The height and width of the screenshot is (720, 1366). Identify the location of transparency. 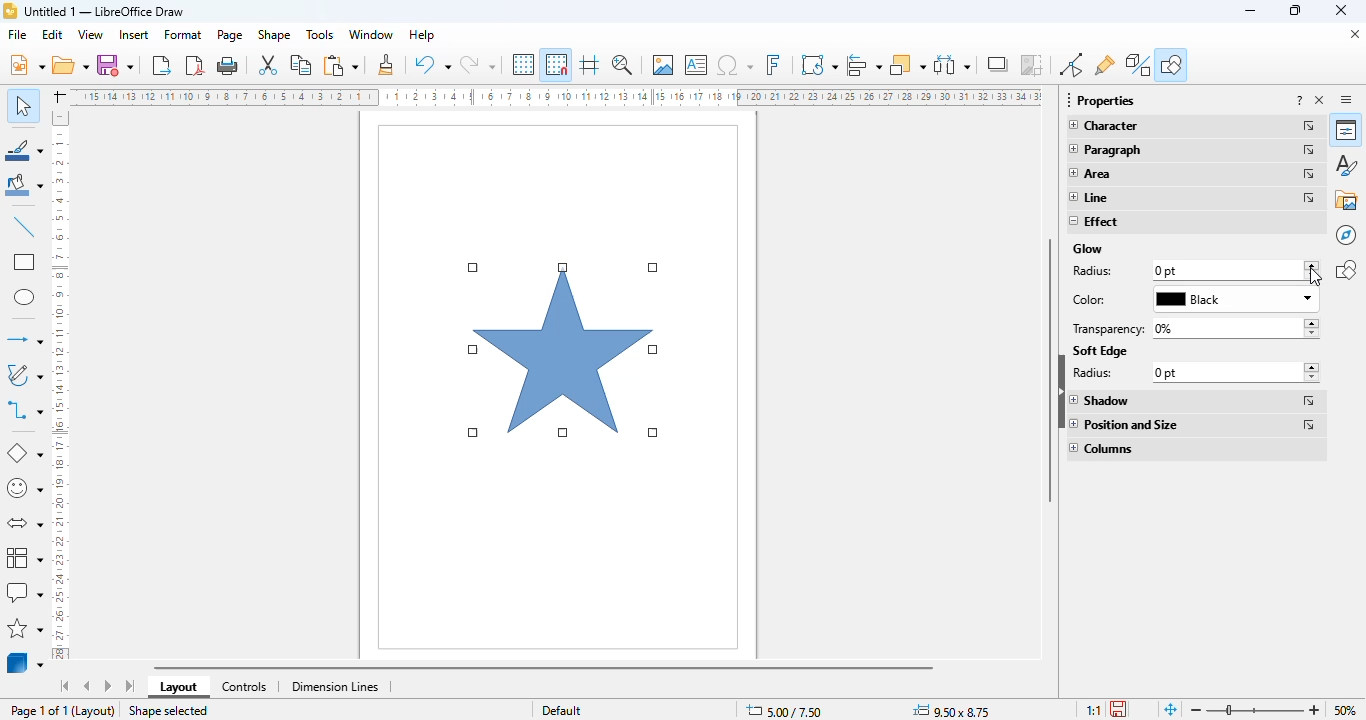
(1107, 328).